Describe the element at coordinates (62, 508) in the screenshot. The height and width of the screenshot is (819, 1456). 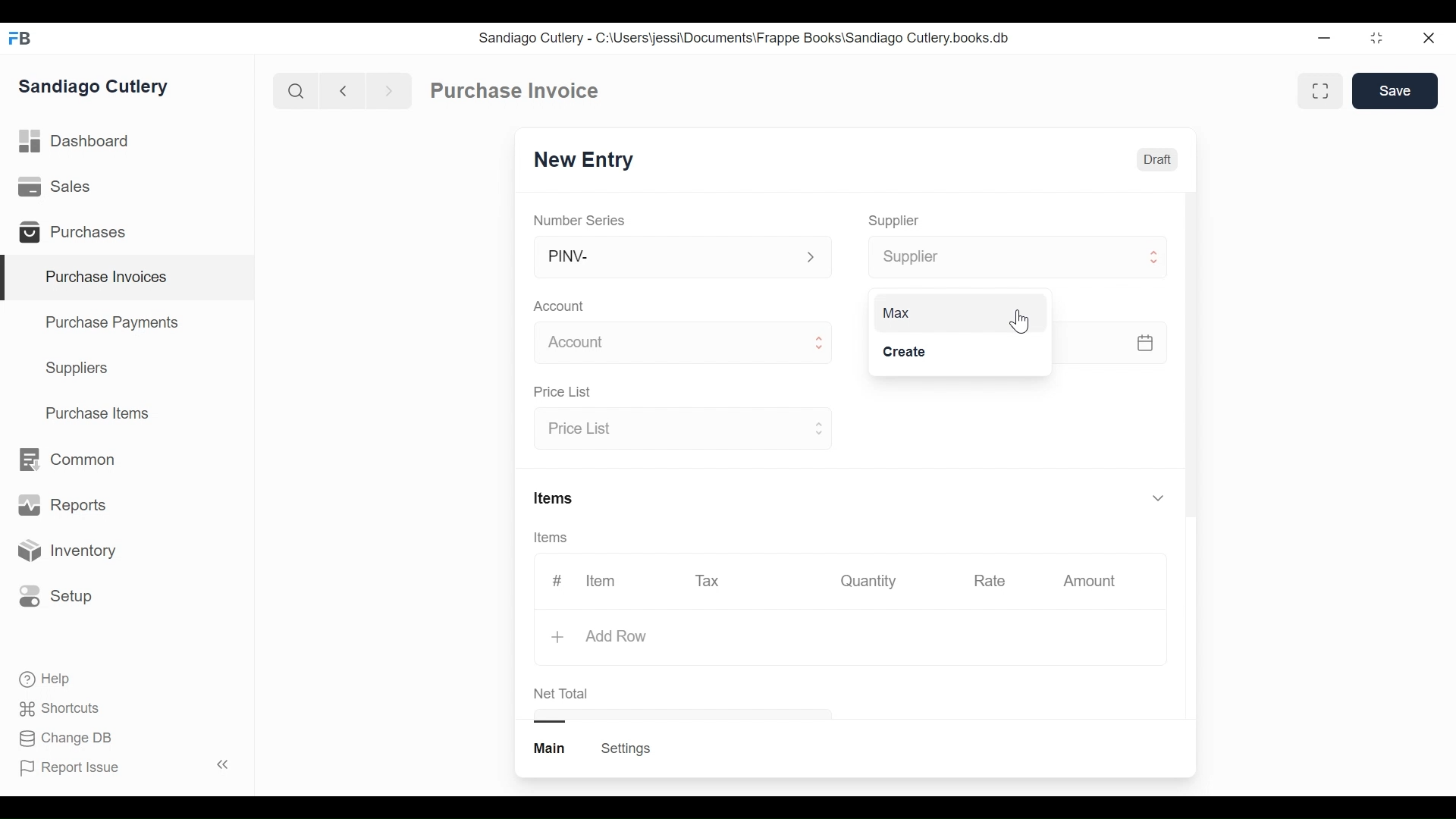
I see `Reports` at that location.